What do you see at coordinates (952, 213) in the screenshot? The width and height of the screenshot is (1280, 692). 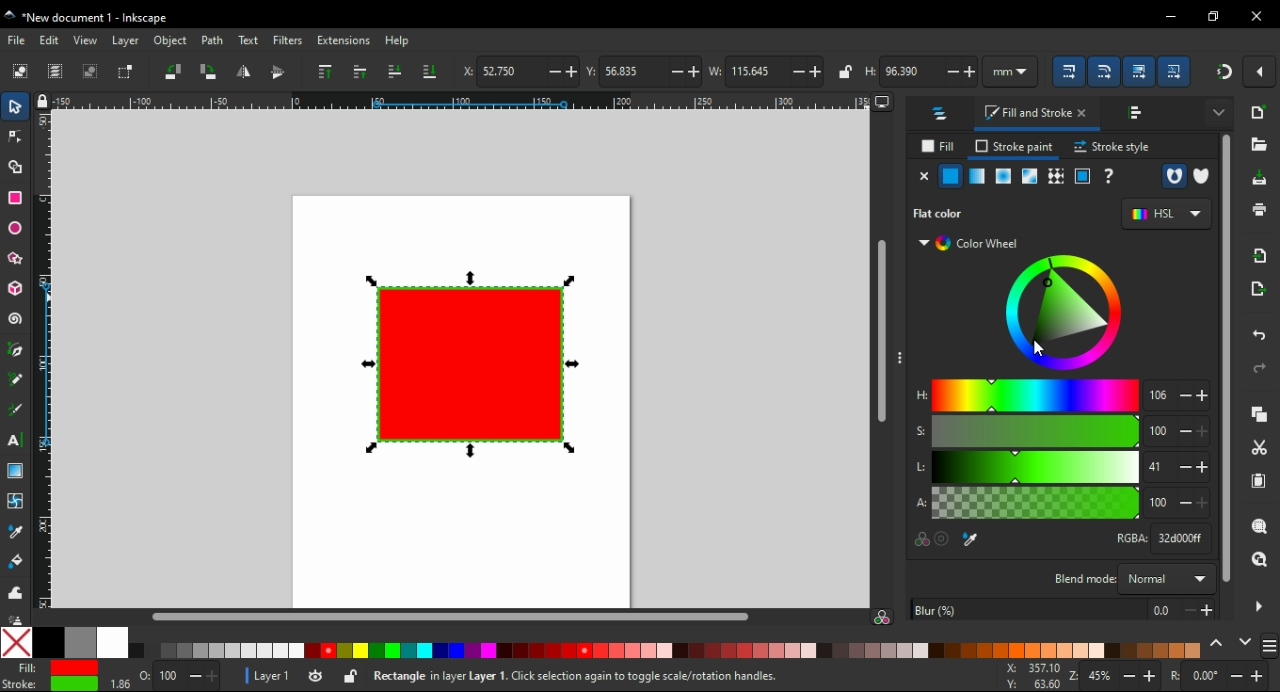 I see `flat color` at bounding box center [952, 213].